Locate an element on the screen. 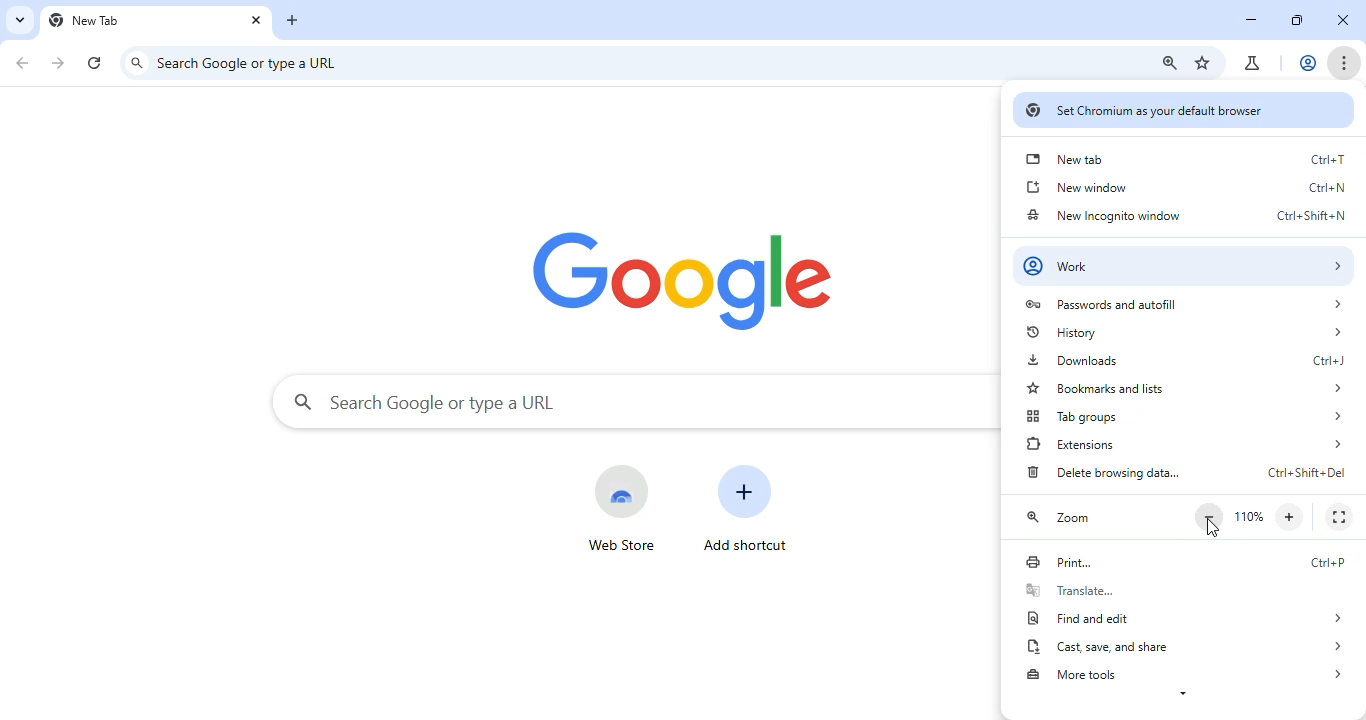  extensions is located at coordinates (1185, 444).